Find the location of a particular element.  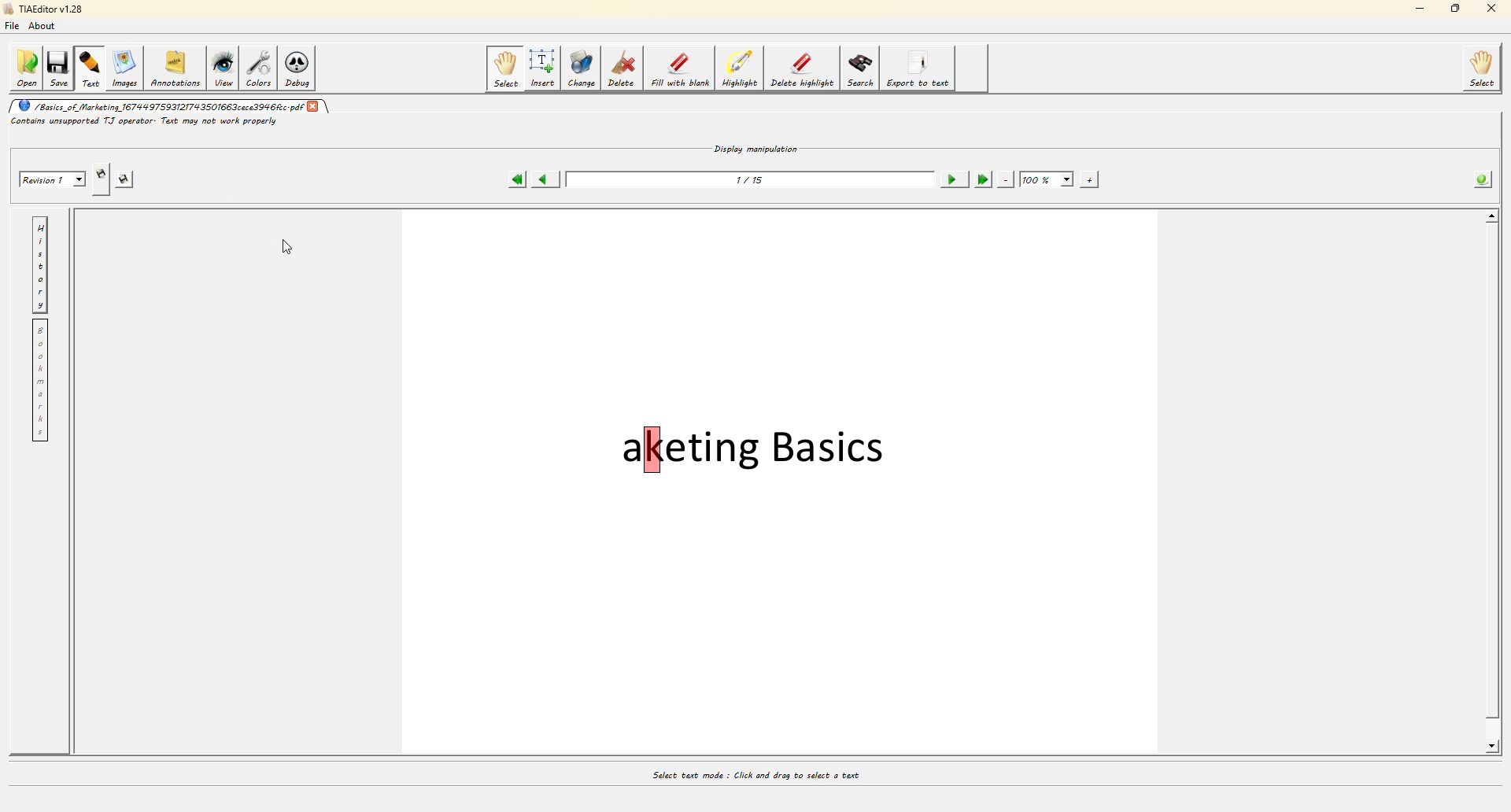

colors is located at coordinates (260, 68).